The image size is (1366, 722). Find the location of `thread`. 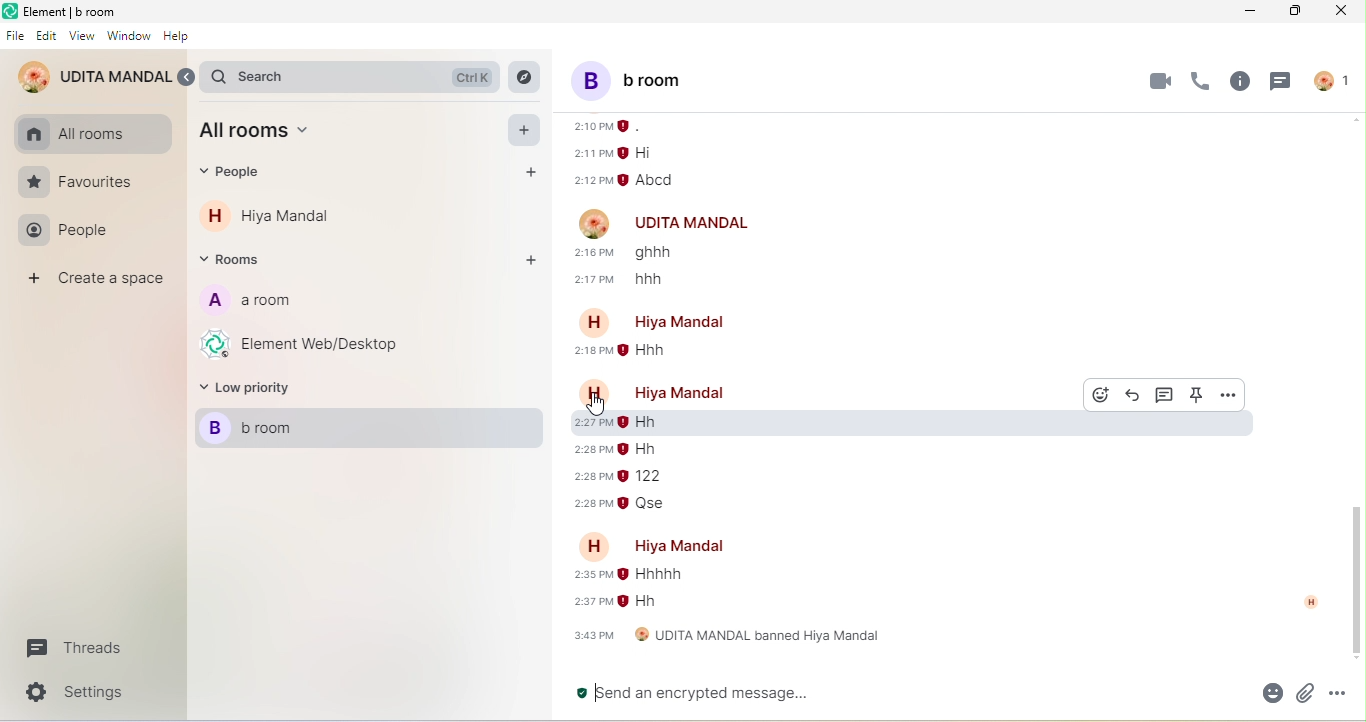

thread is located at coordinates (1162, 395).